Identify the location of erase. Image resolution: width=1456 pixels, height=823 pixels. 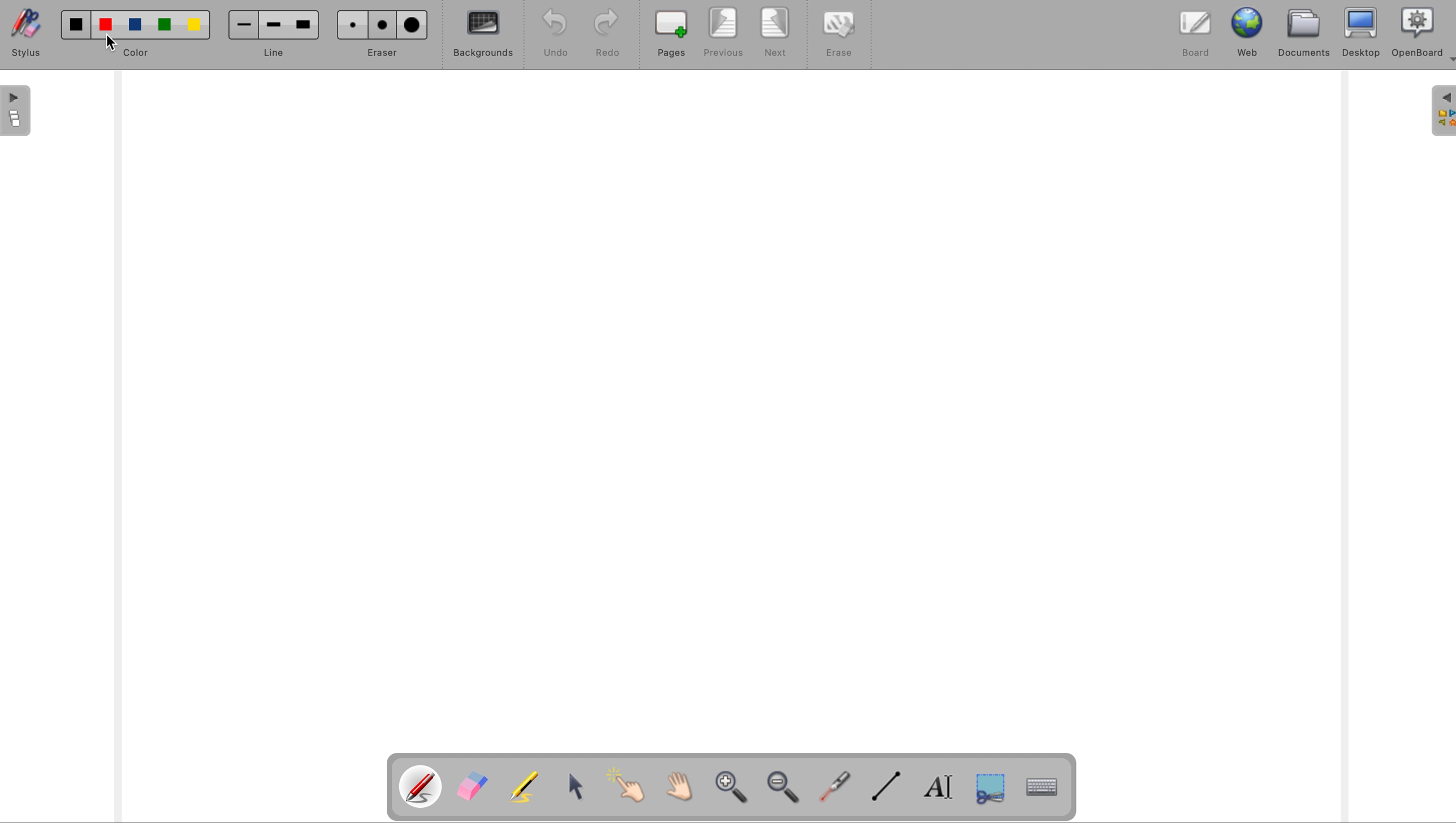
(836, 34).